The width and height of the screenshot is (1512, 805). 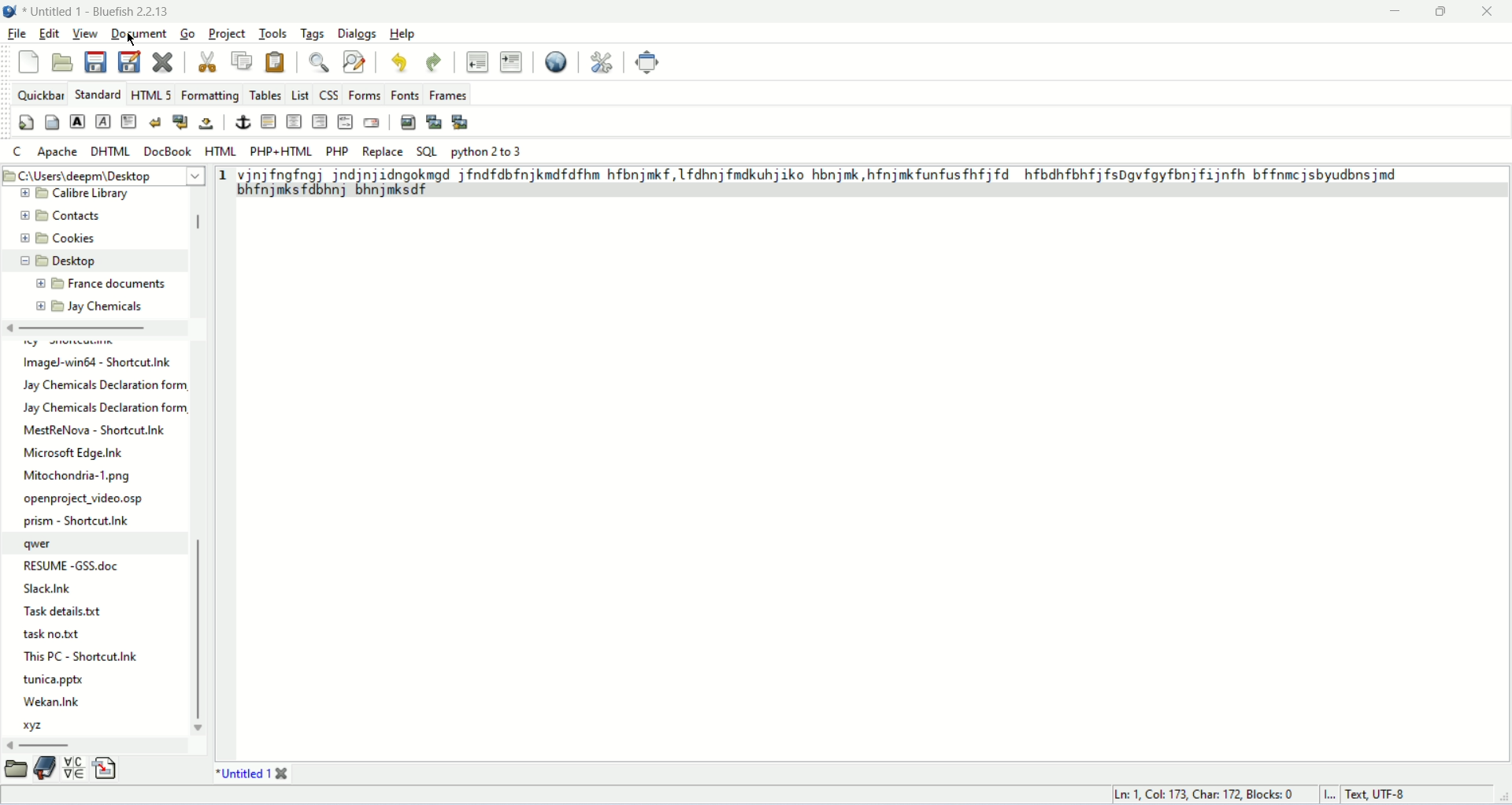 I want to click on tunica.pptx, so click(x=56, y=679).